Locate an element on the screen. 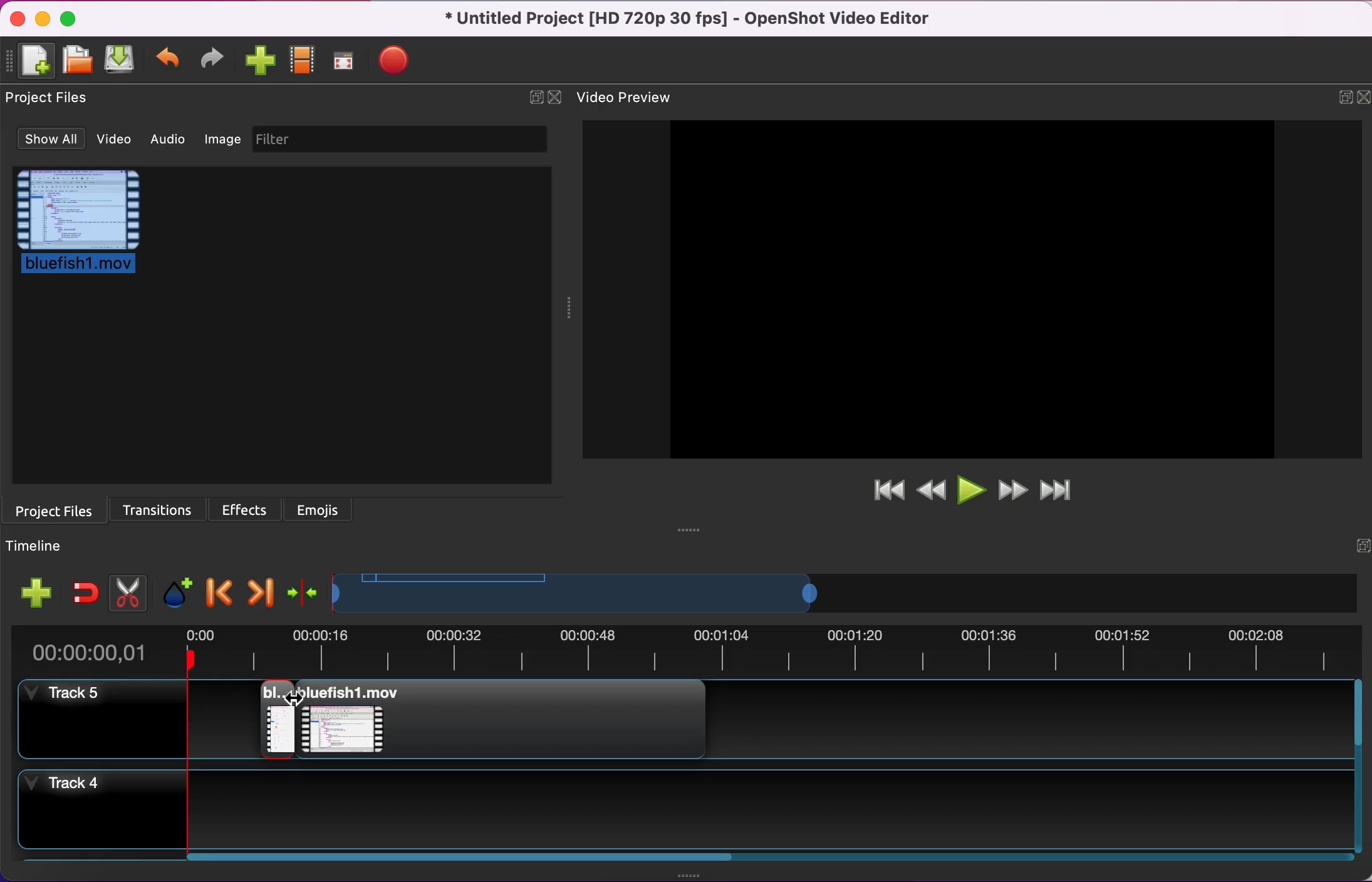  rewind is located at coordinates (931, 491).